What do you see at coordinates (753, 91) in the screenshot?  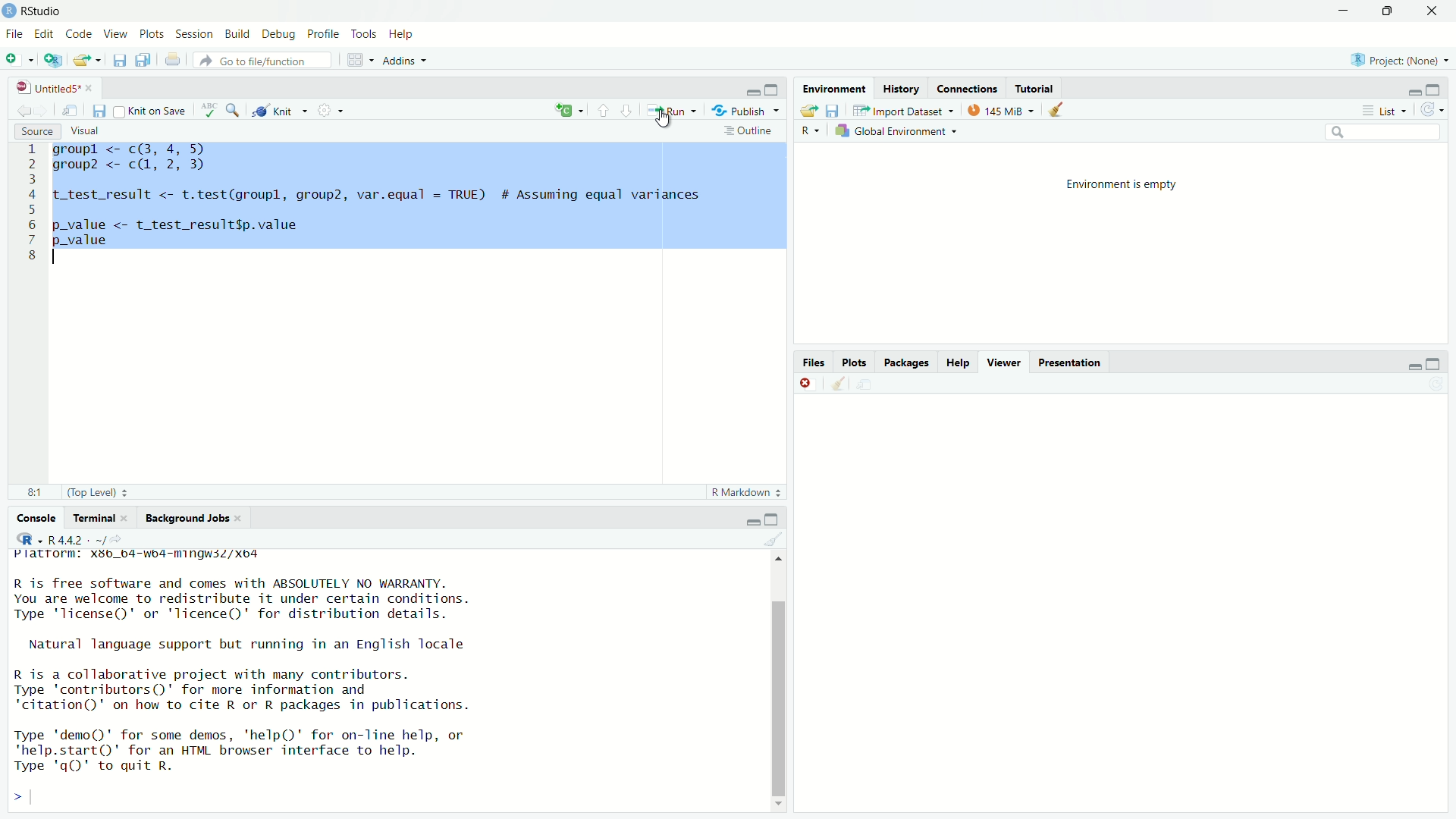 I see `minimise` at bounding box center [753, 91].